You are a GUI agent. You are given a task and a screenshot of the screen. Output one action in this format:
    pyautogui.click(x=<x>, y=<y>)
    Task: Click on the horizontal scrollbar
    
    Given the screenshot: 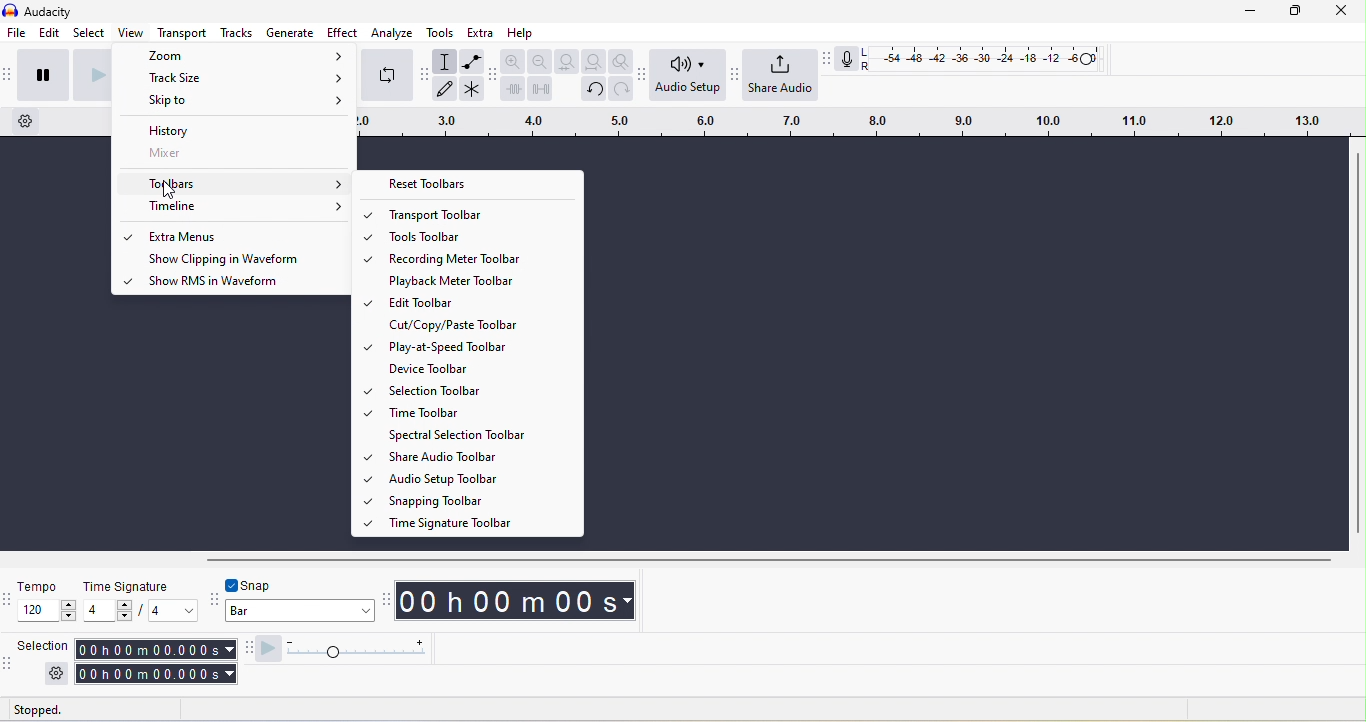 What is the action you would take?
    pyautogui.click(x=769, y=561)
    